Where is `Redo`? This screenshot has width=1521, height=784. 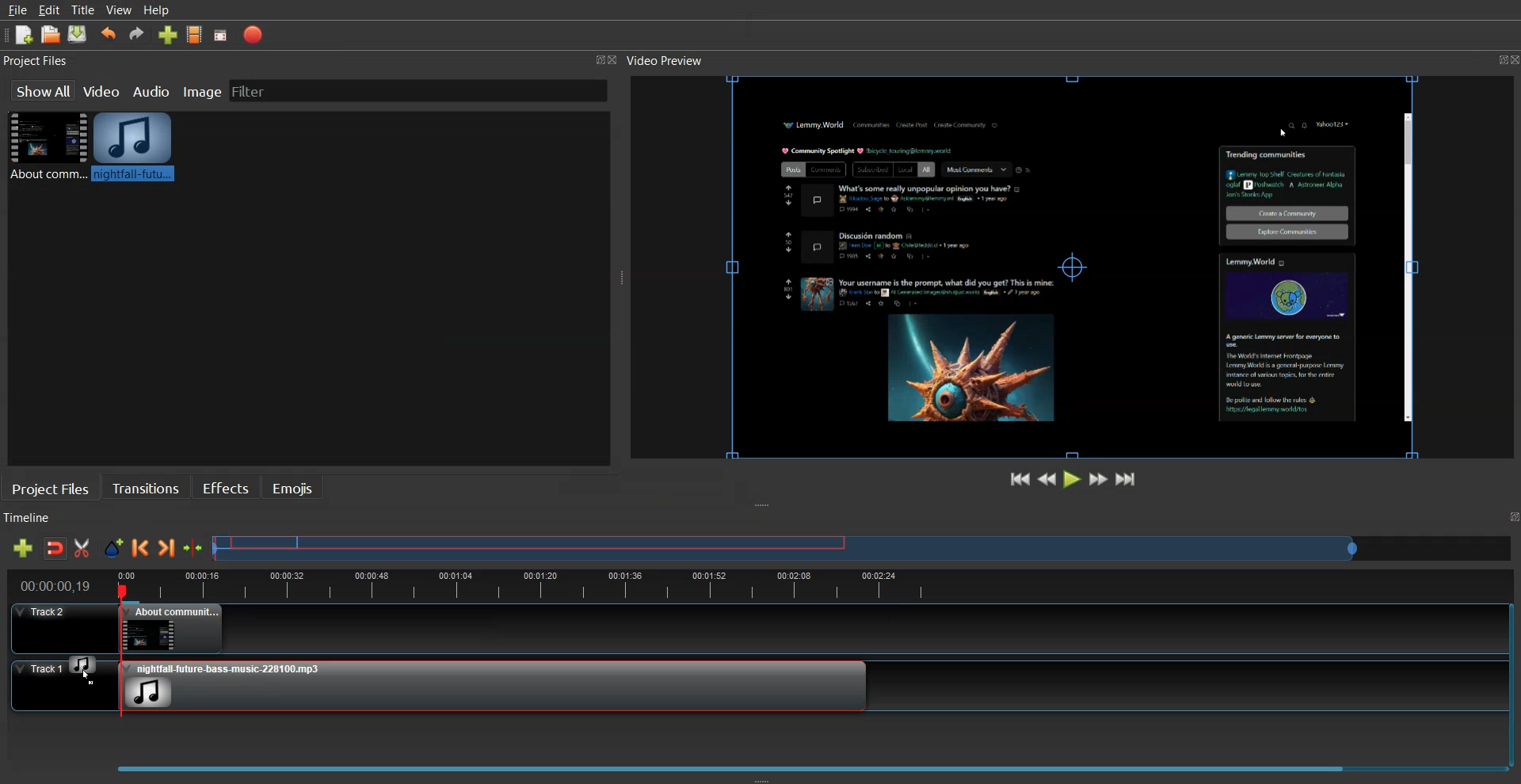
Redo is located at coordinates (137, 33).